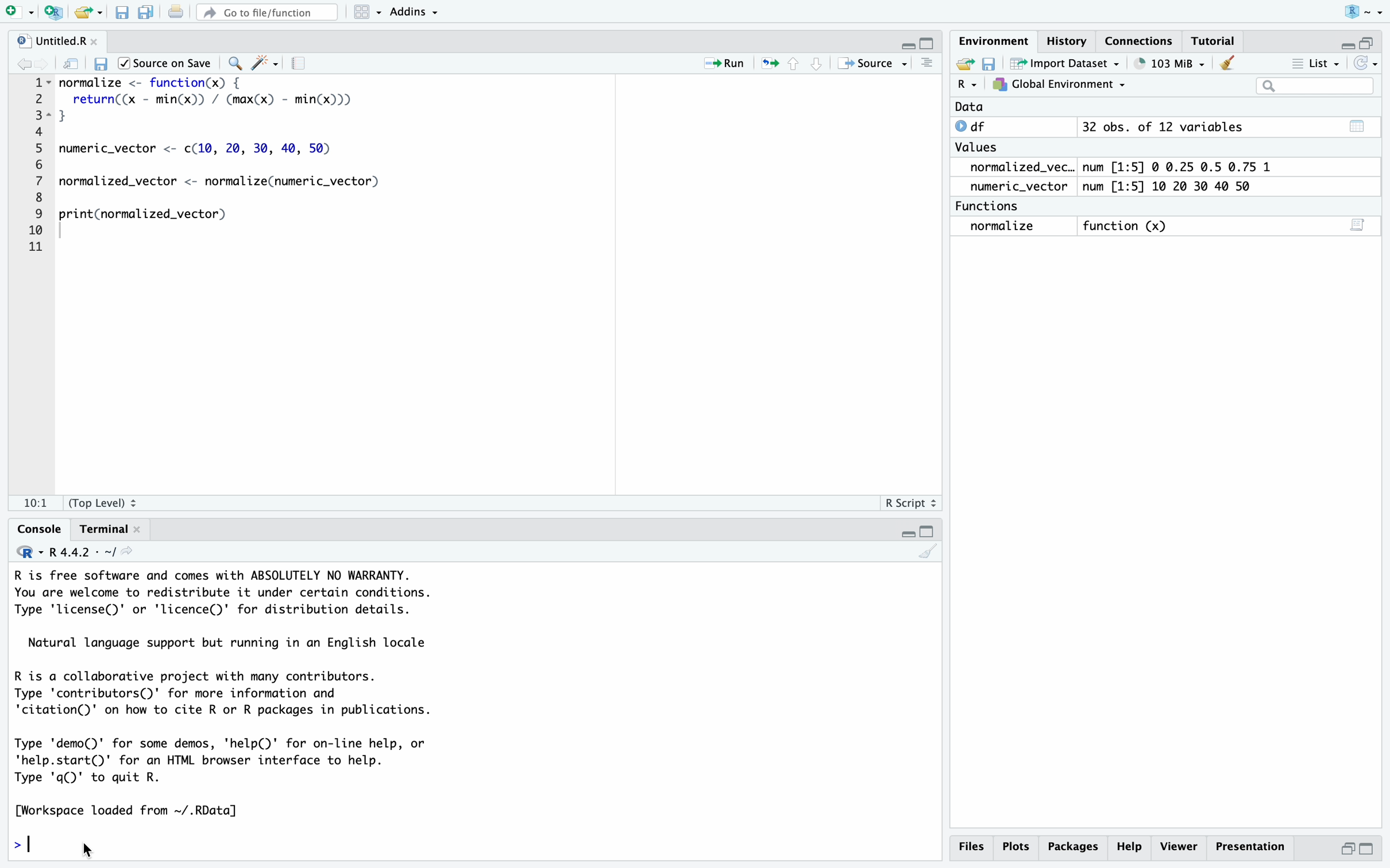 This screenshot has width=1390, height=868. I want to click on History, so click(1068, 39).